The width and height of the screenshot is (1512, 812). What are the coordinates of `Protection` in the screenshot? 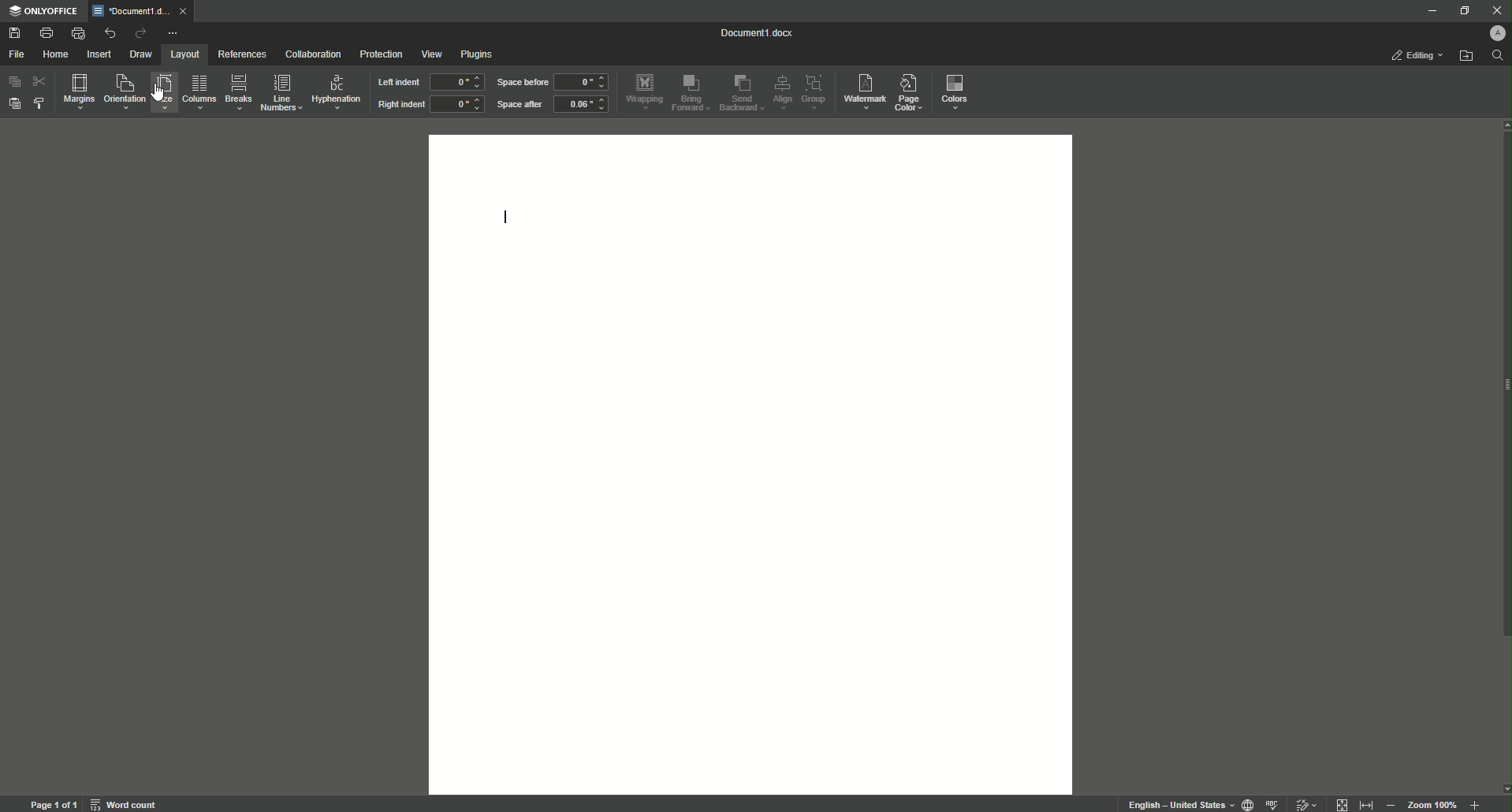 It's located at (377, 54).